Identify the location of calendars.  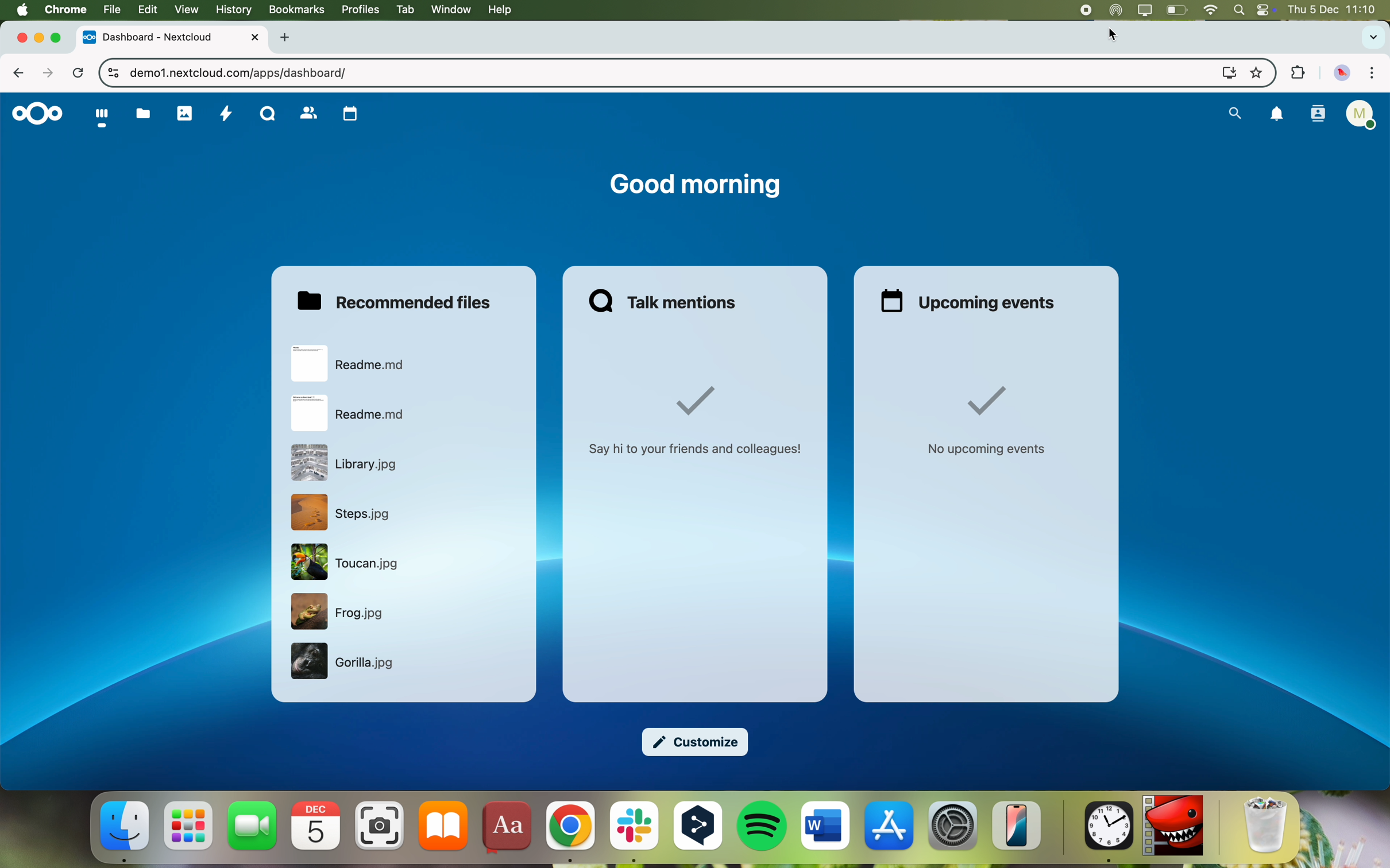
(350, 114).